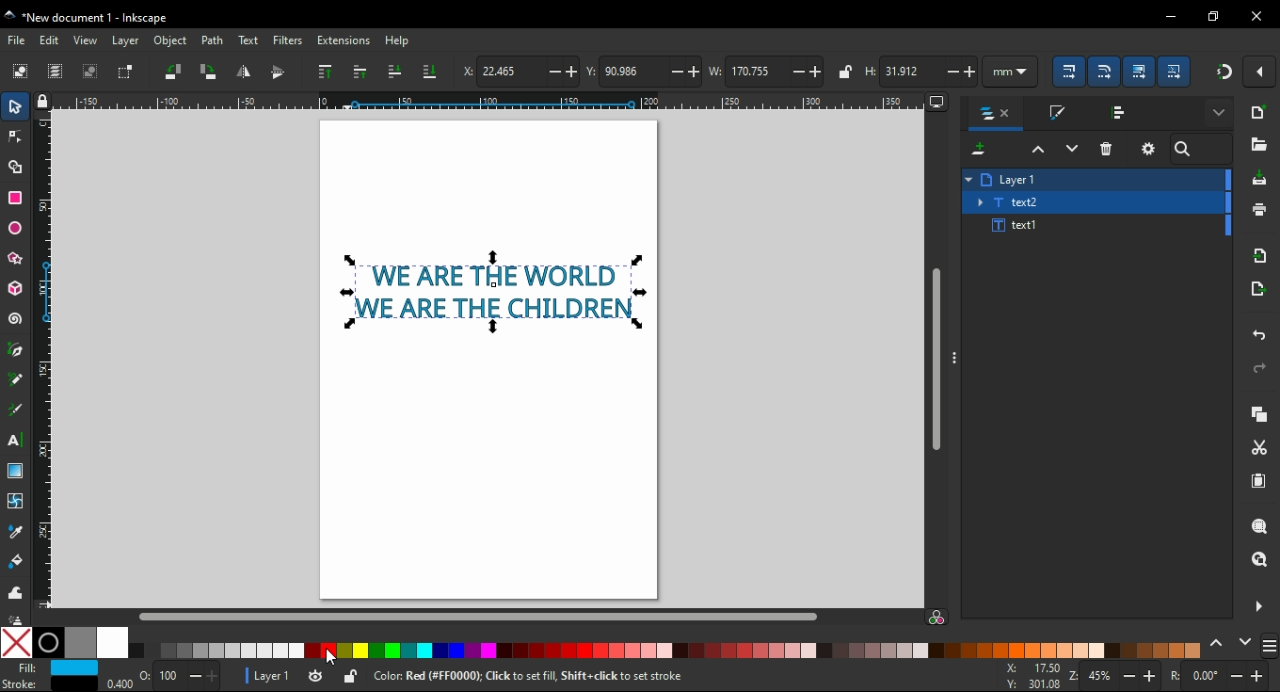 The height and width of the screenshot is (692, 1280). I want to click on lock, so click(843, 72).